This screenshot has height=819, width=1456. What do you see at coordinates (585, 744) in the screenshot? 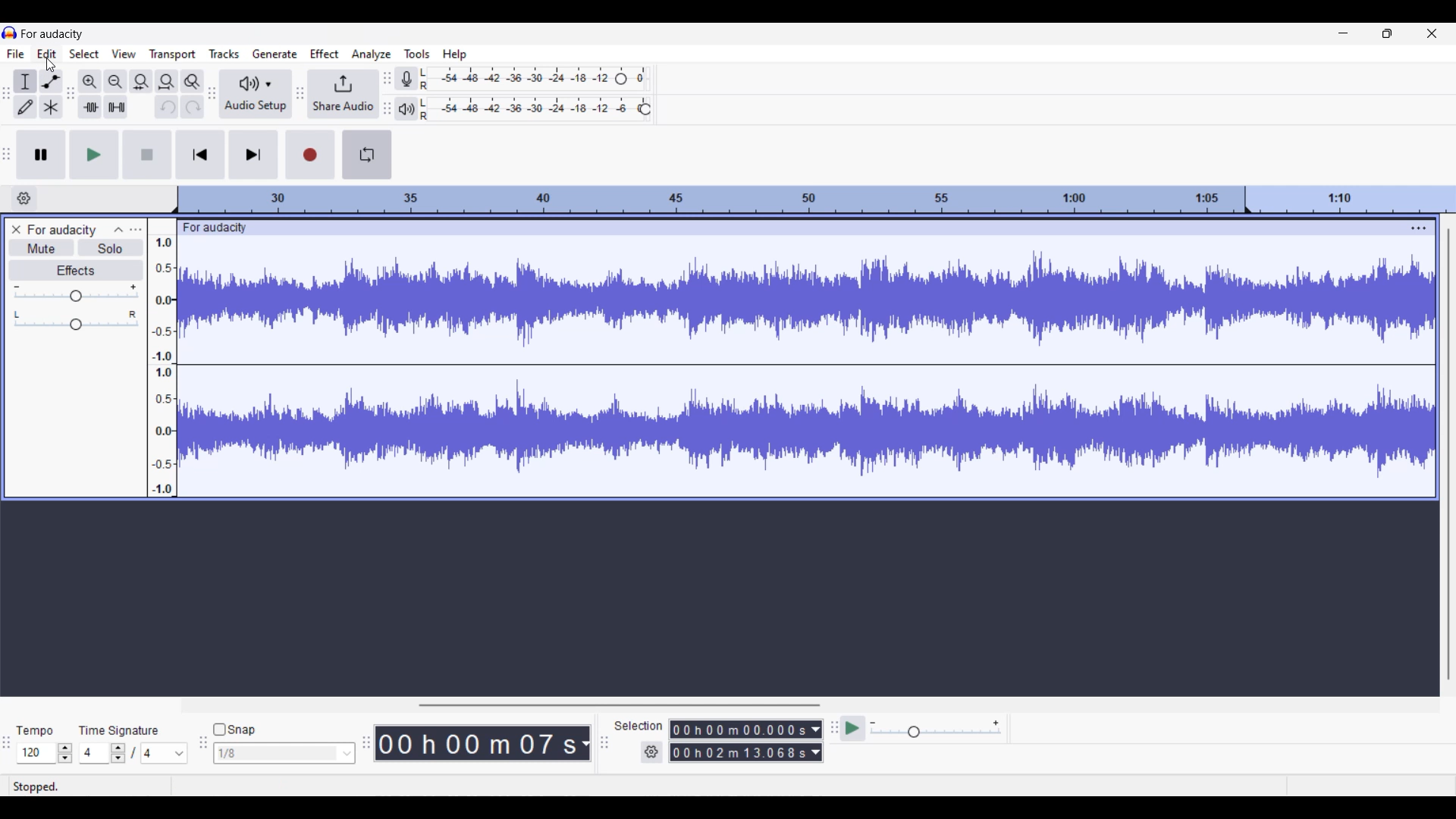
I see `Measurement ` at bounding box center [585, 744].